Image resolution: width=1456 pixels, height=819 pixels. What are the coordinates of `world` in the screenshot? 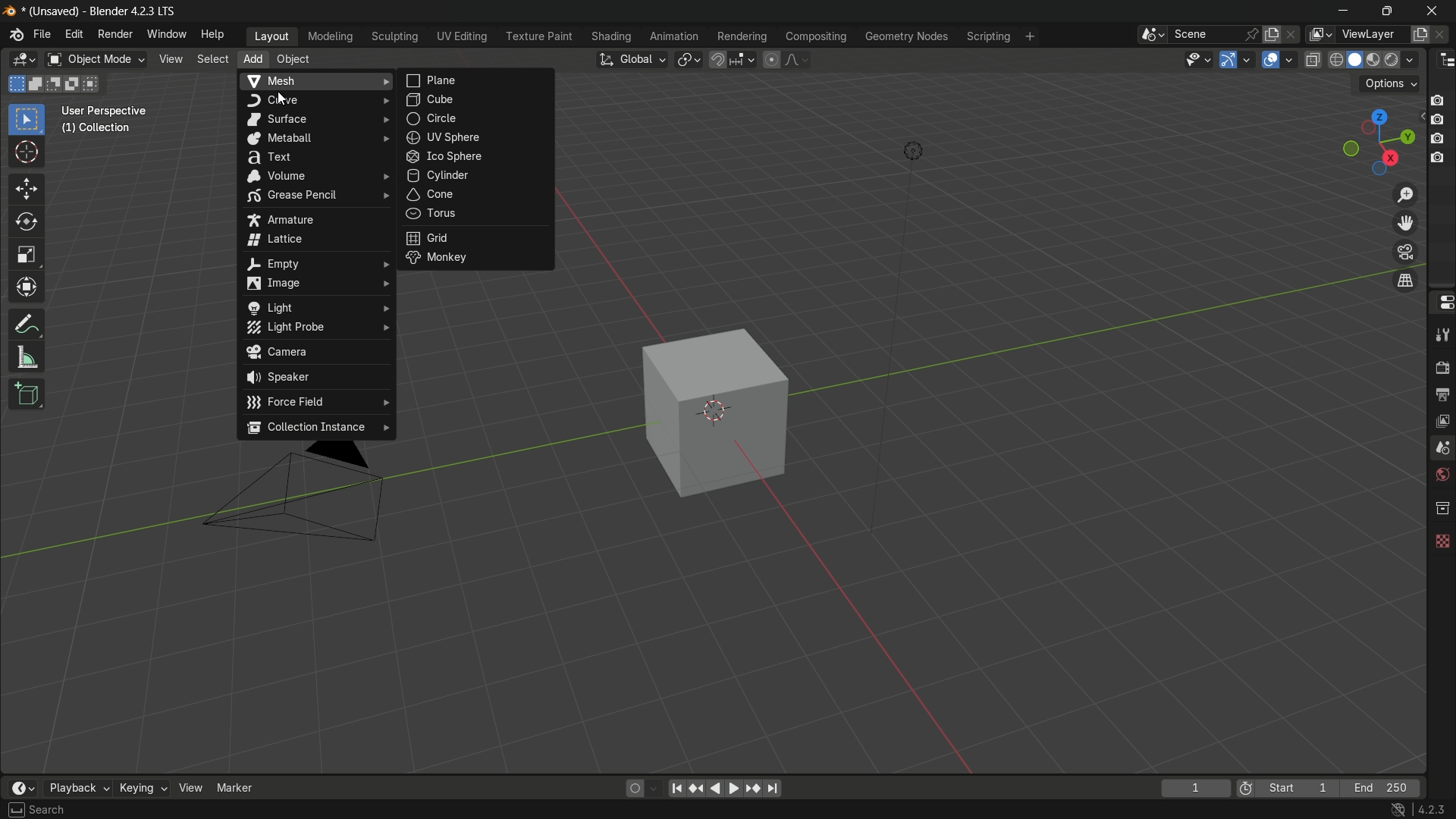 It's located at (1441, 476).